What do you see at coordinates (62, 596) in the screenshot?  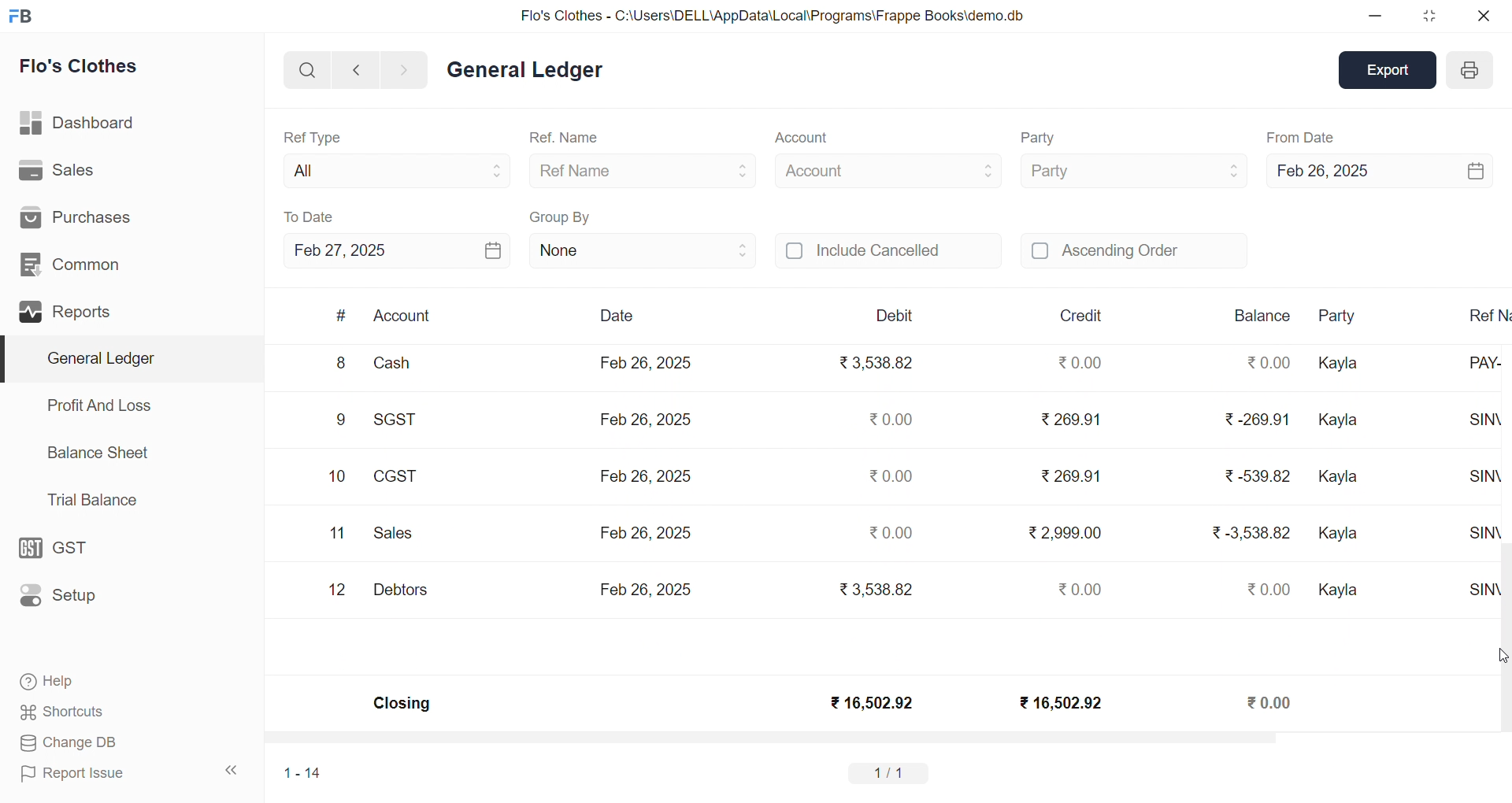 I see `Setup` at bounding box center [62, 596].